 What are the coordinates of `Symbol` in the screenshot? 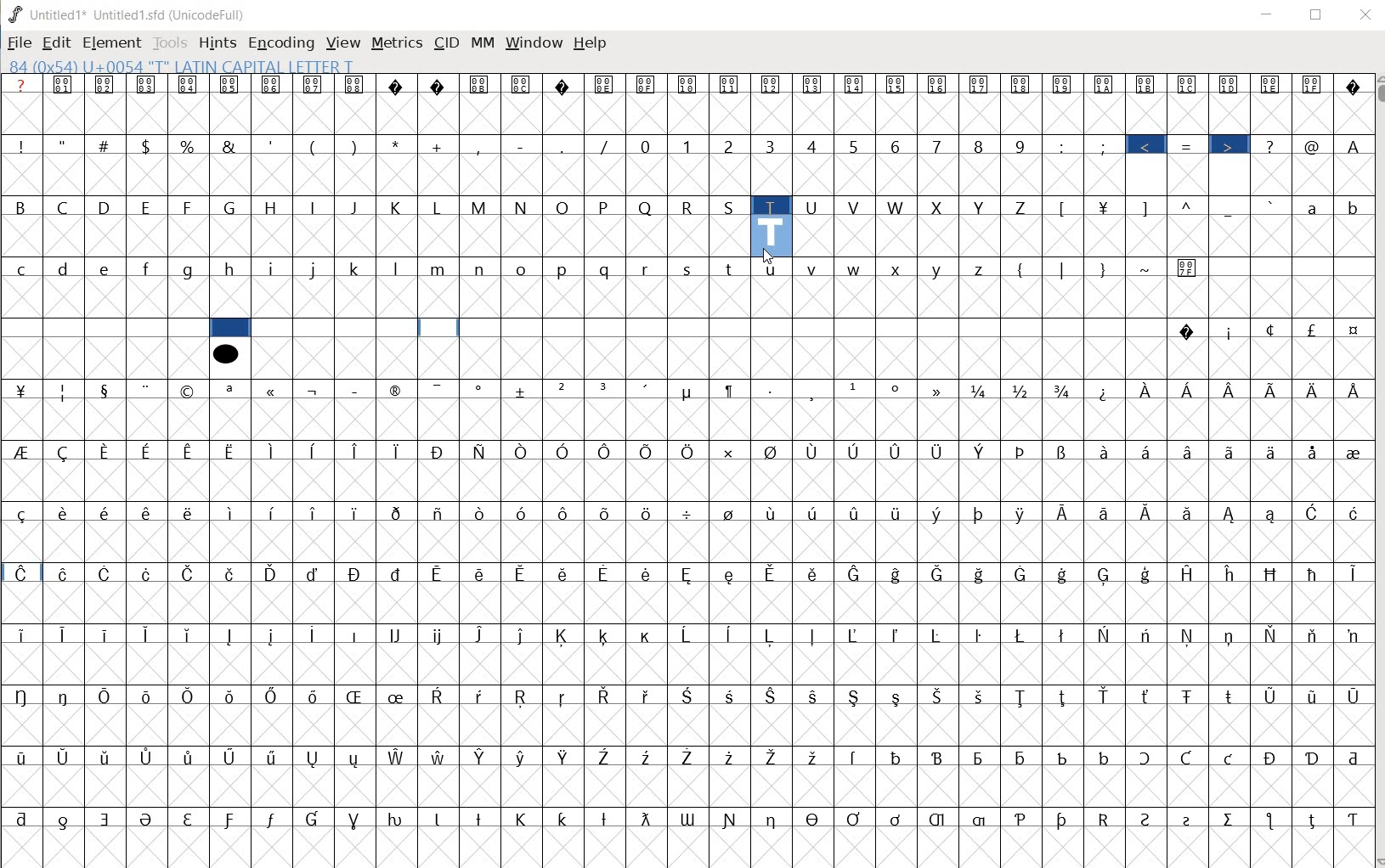 It's located at (399, 573).